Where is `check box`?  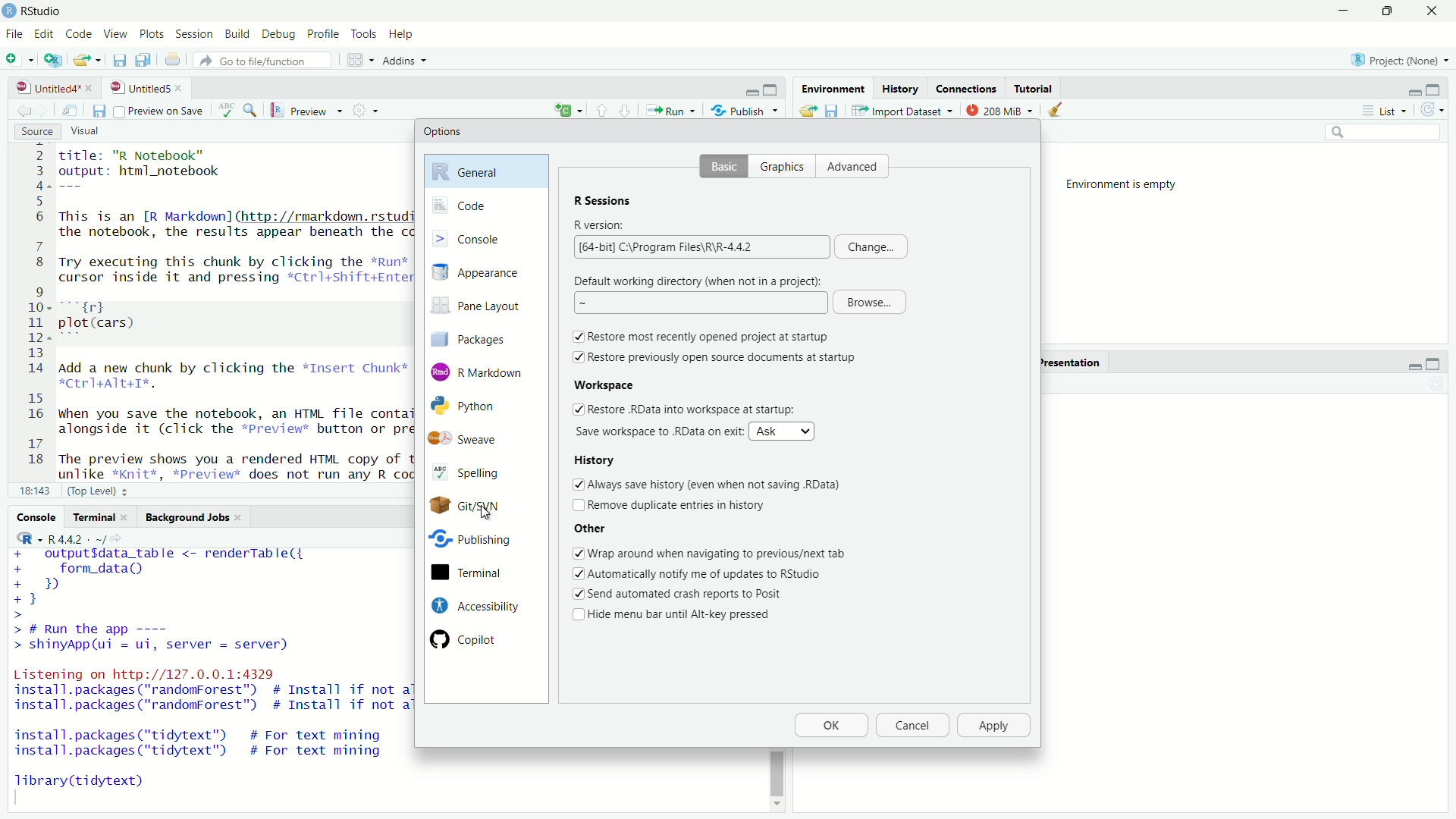
check box is located at coordinates (575, 337).